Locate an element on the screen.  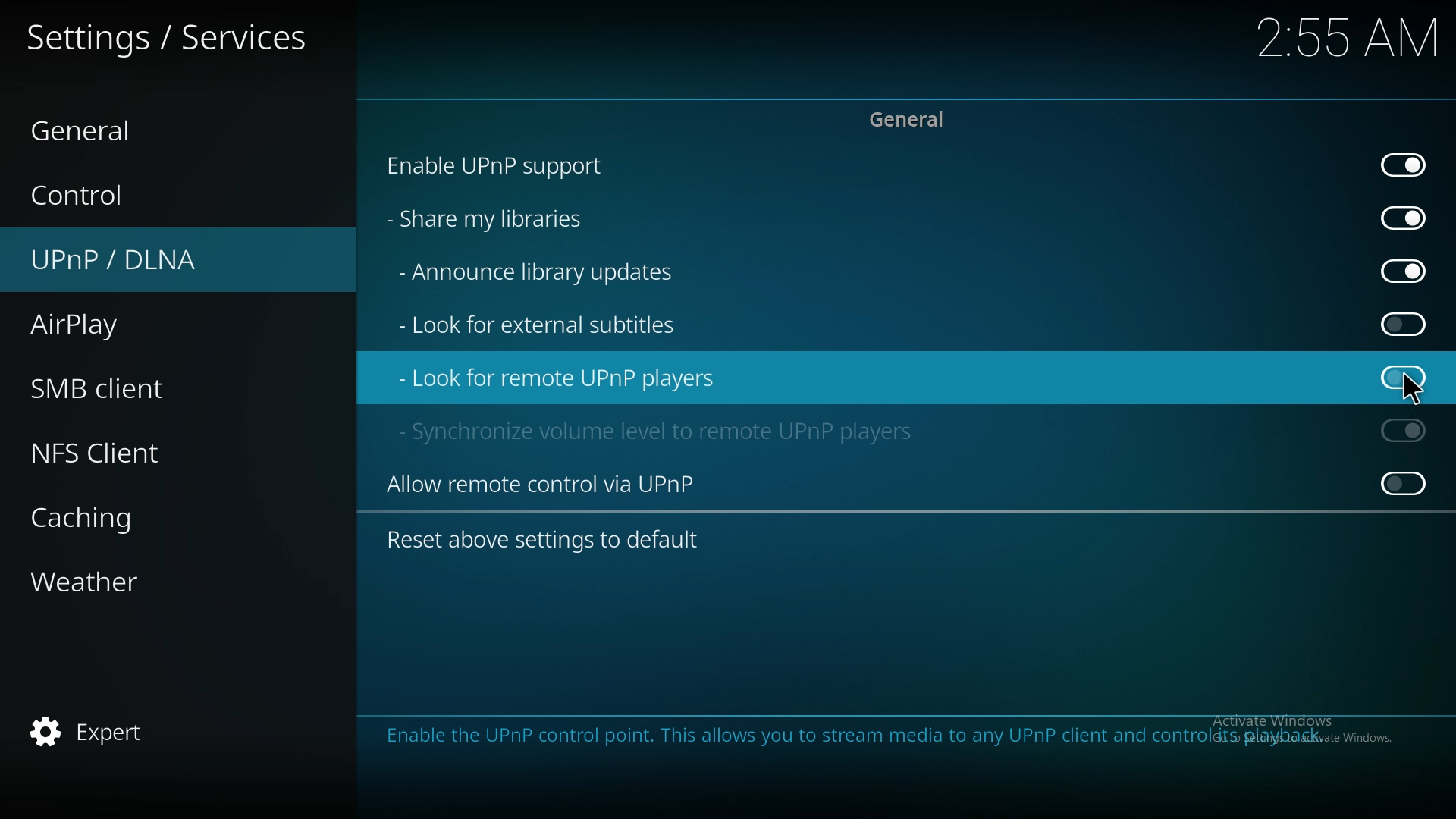
caching is located at coordinates (101, 516).